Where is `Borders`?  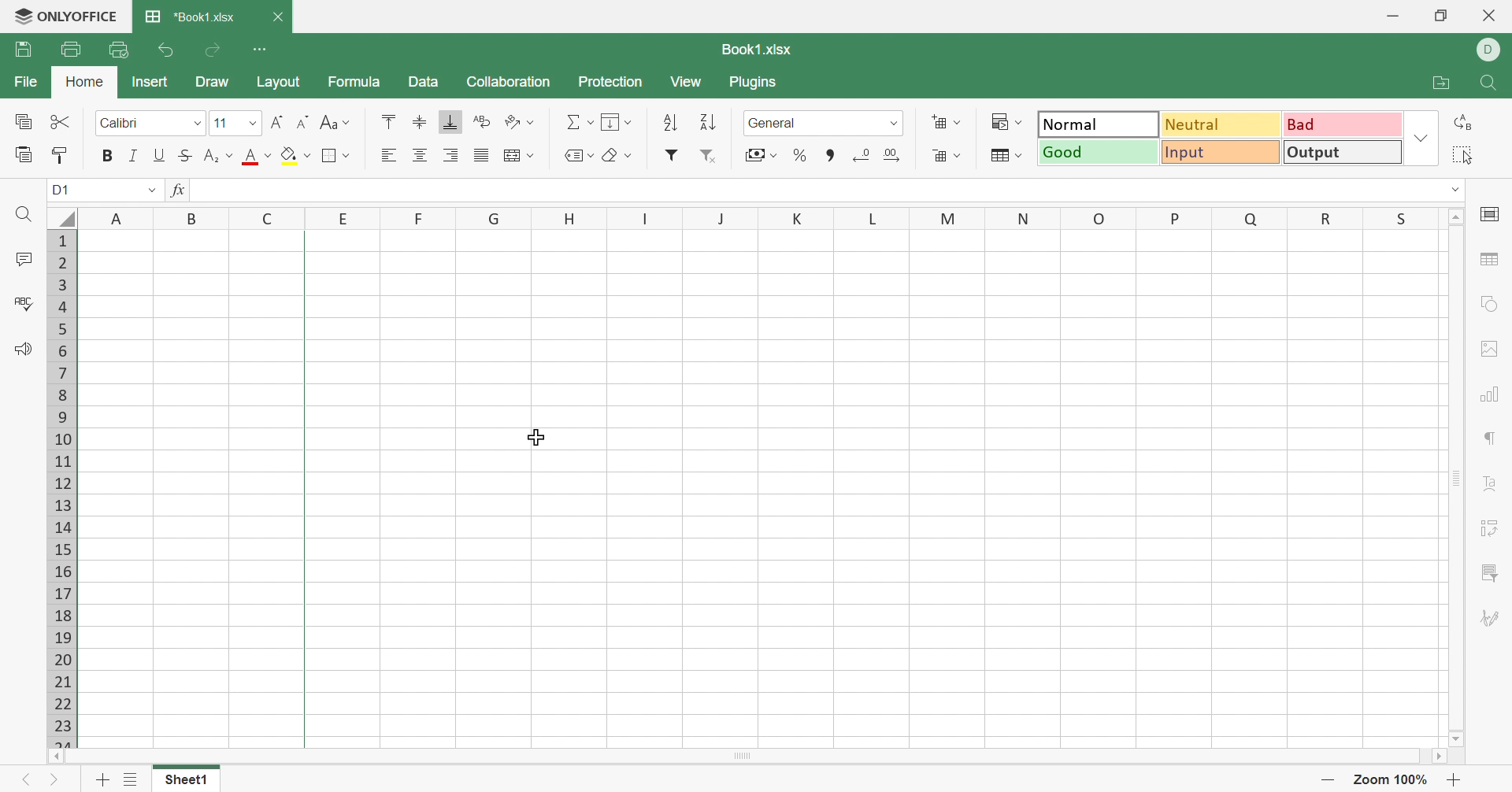
Borders is located at coordinates (330, 157).